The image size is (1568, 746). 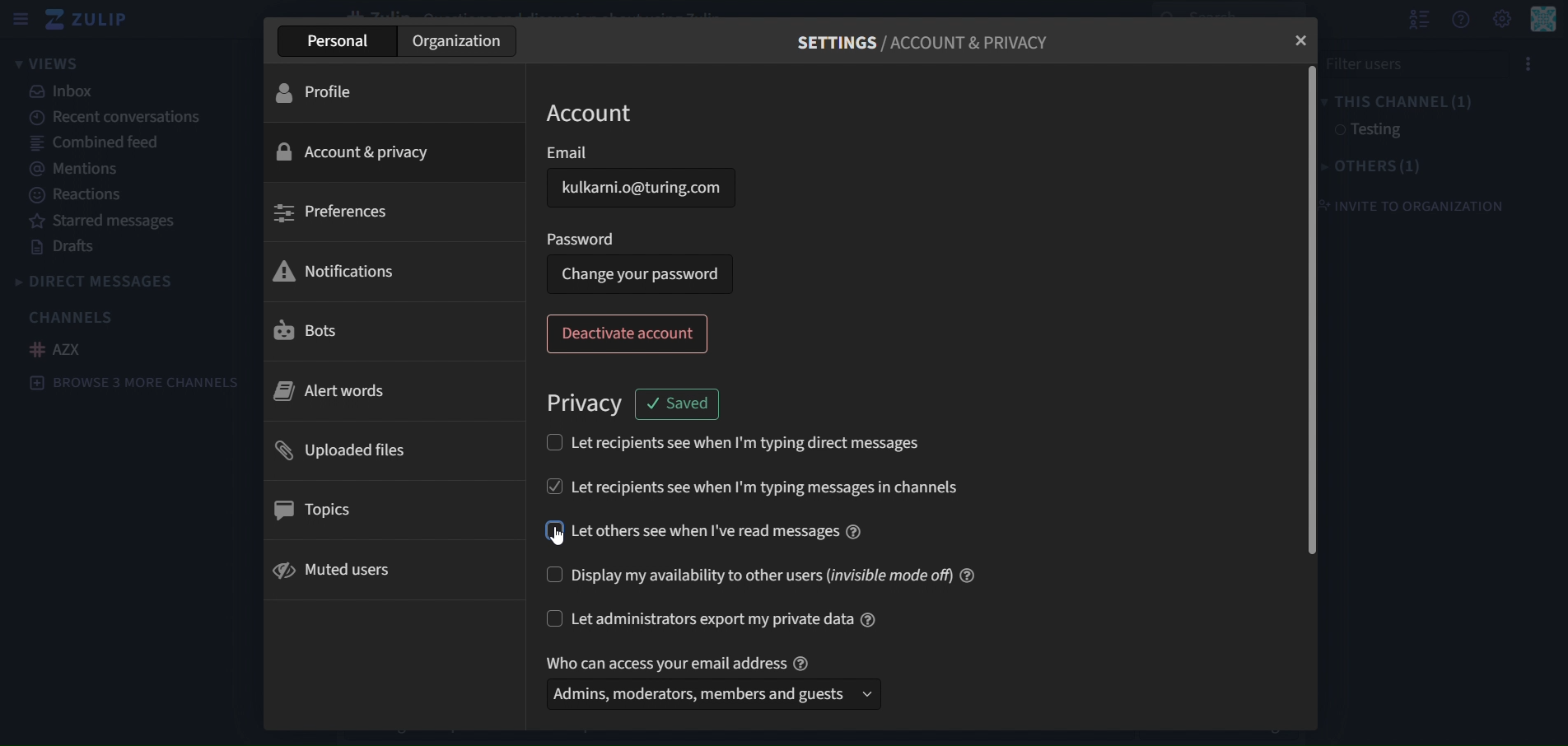 What do you see at coordinates (72, 316) in the screenshot?
I see `channels` at bounding box center [72, 316].